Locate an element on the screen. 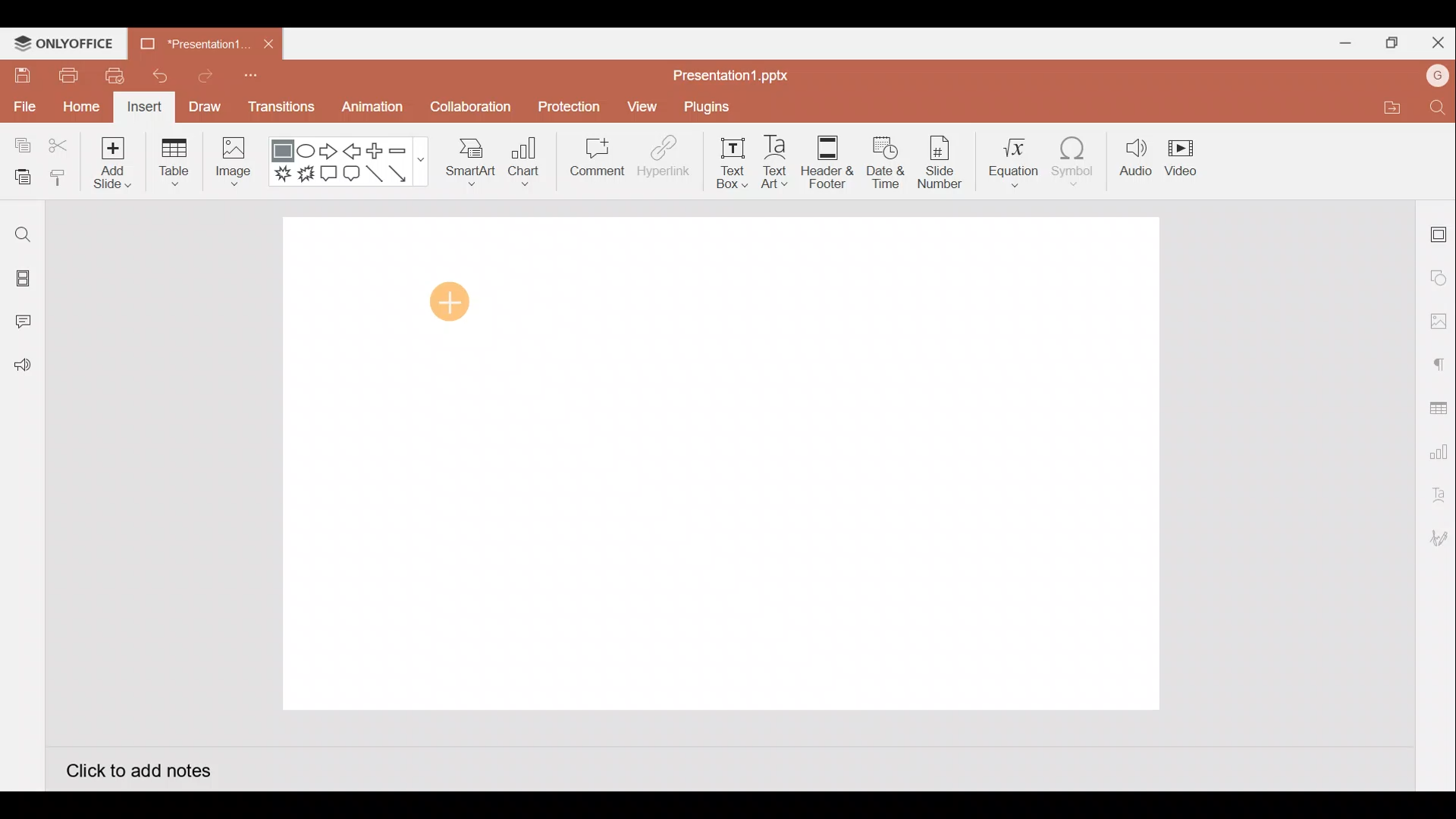 The height and width of the screenshot is (819, 1456). Feedback and Support is located at coordinates (22, 369).